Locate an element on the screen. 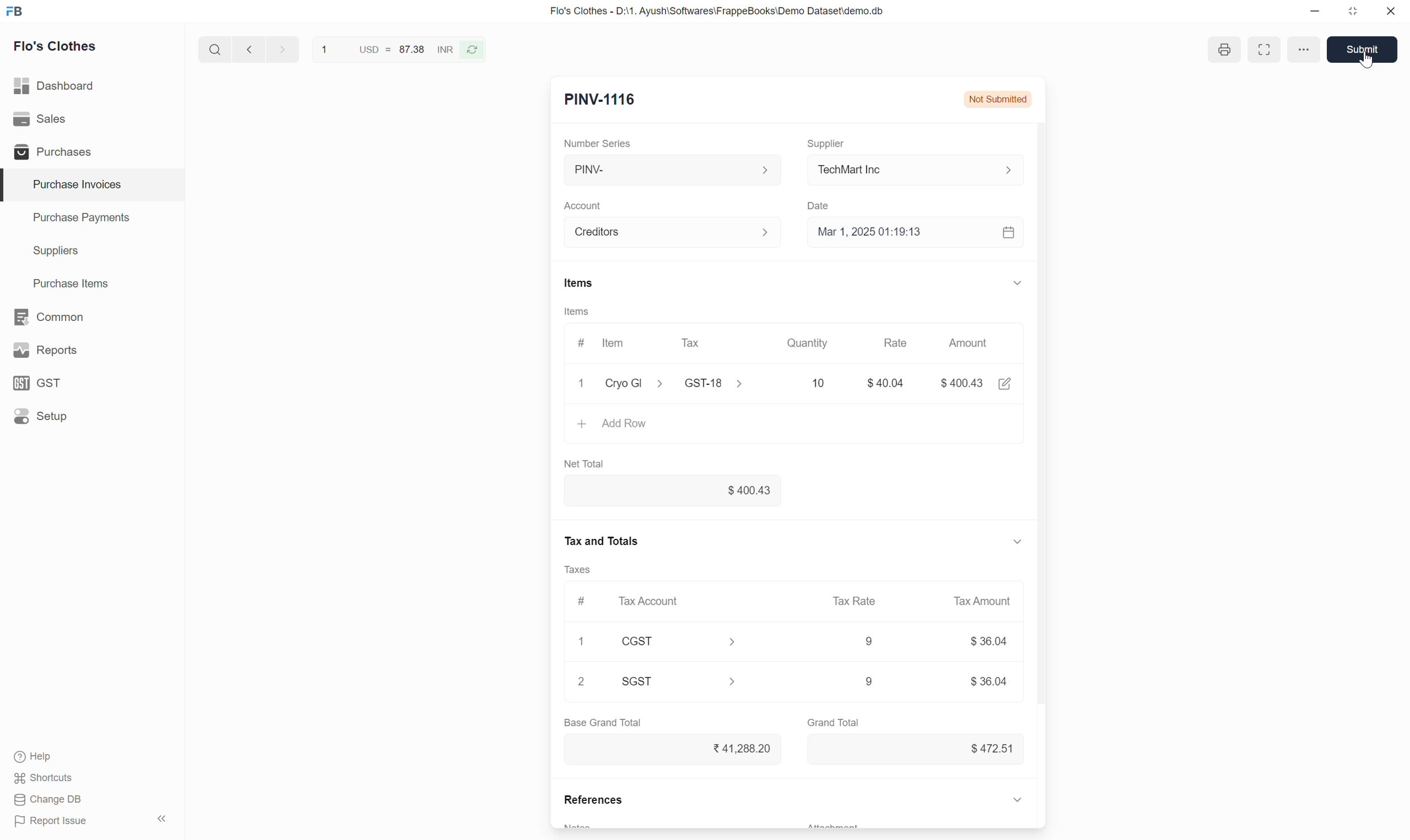  Net Total is located at coordinates (589, 463).